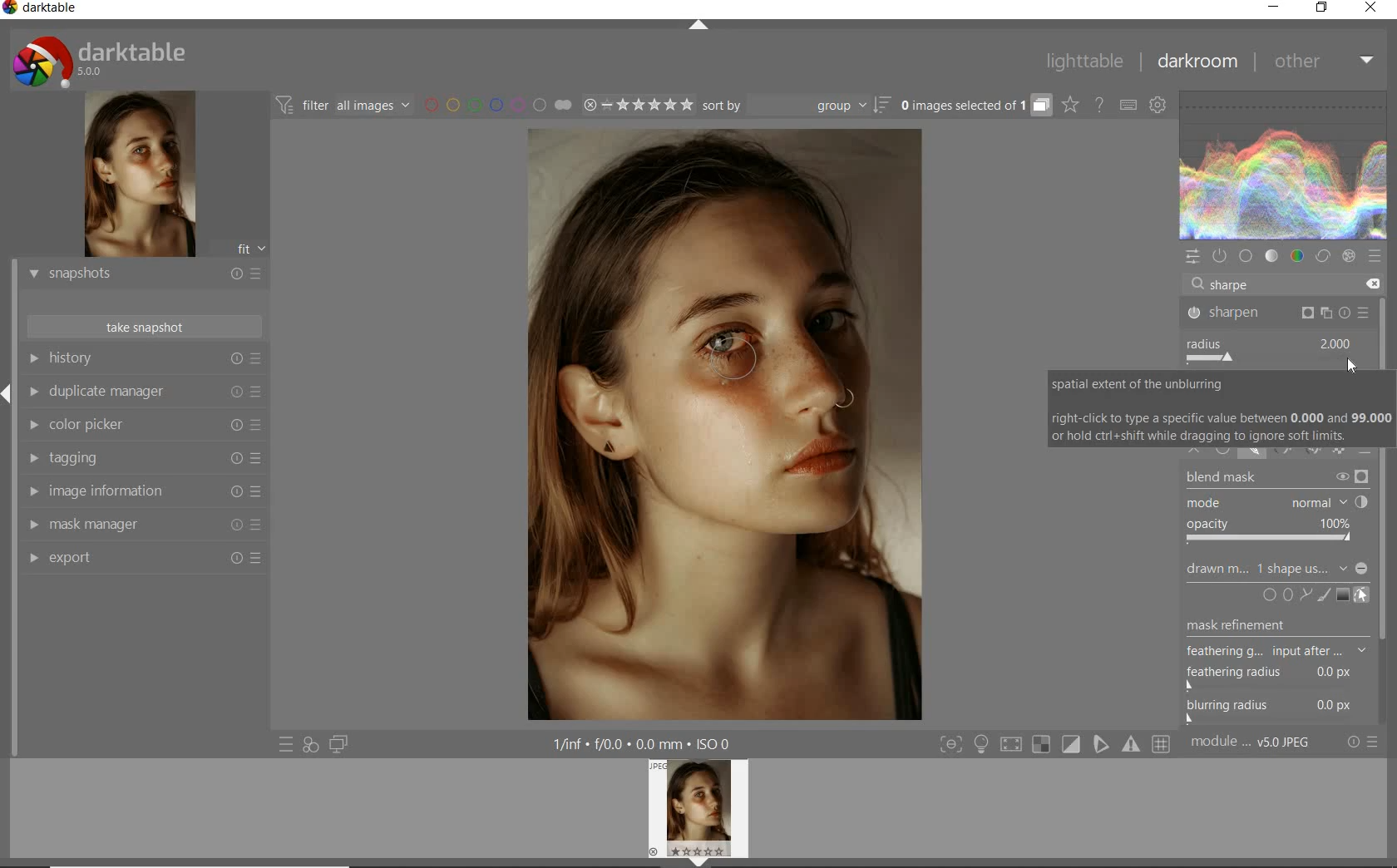  I want to click on quick access to presets, so click(287, 743).